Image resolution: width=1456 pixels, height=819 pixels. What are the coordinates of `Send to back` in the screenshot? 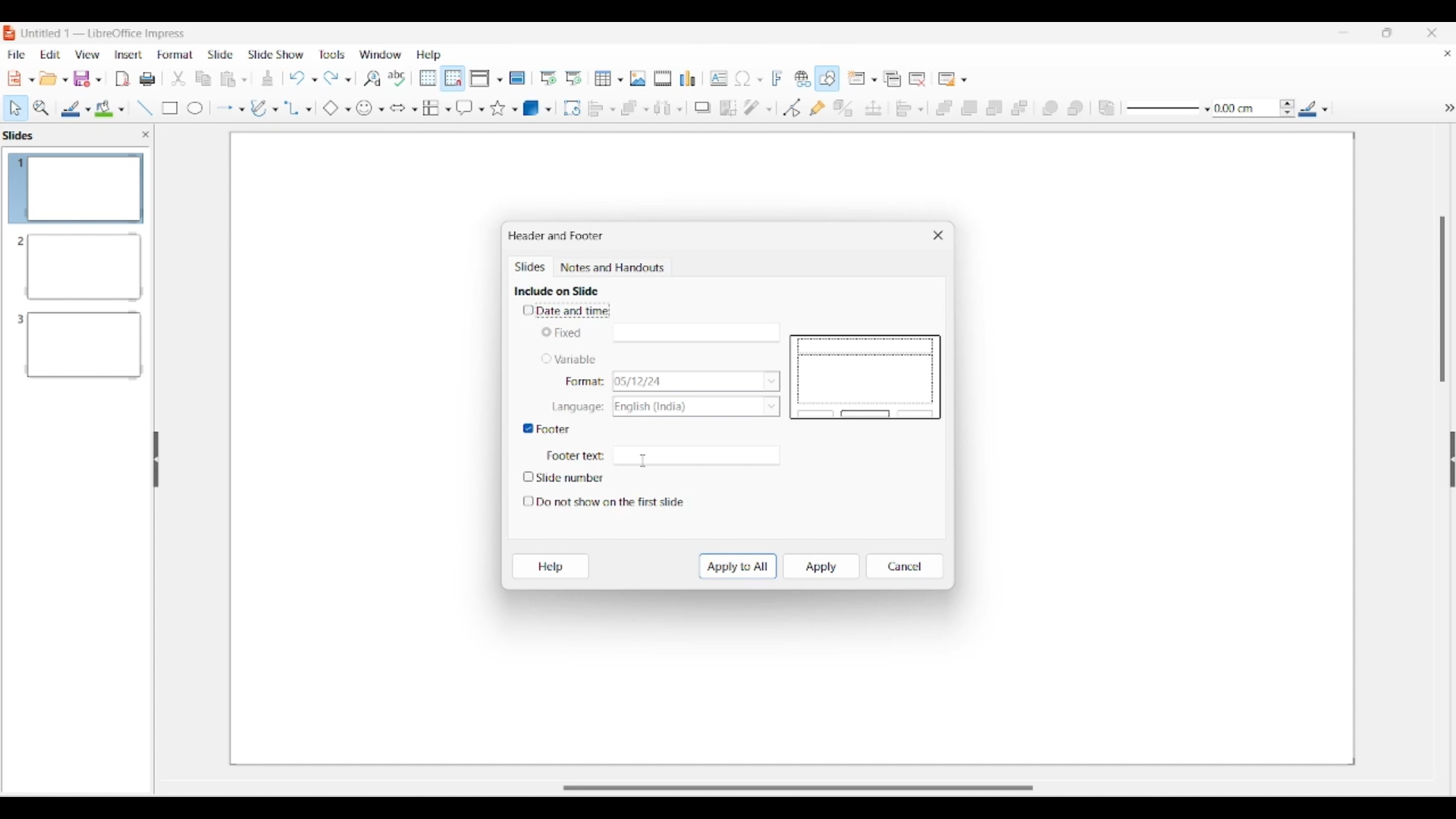 It's located at (1019, 108).